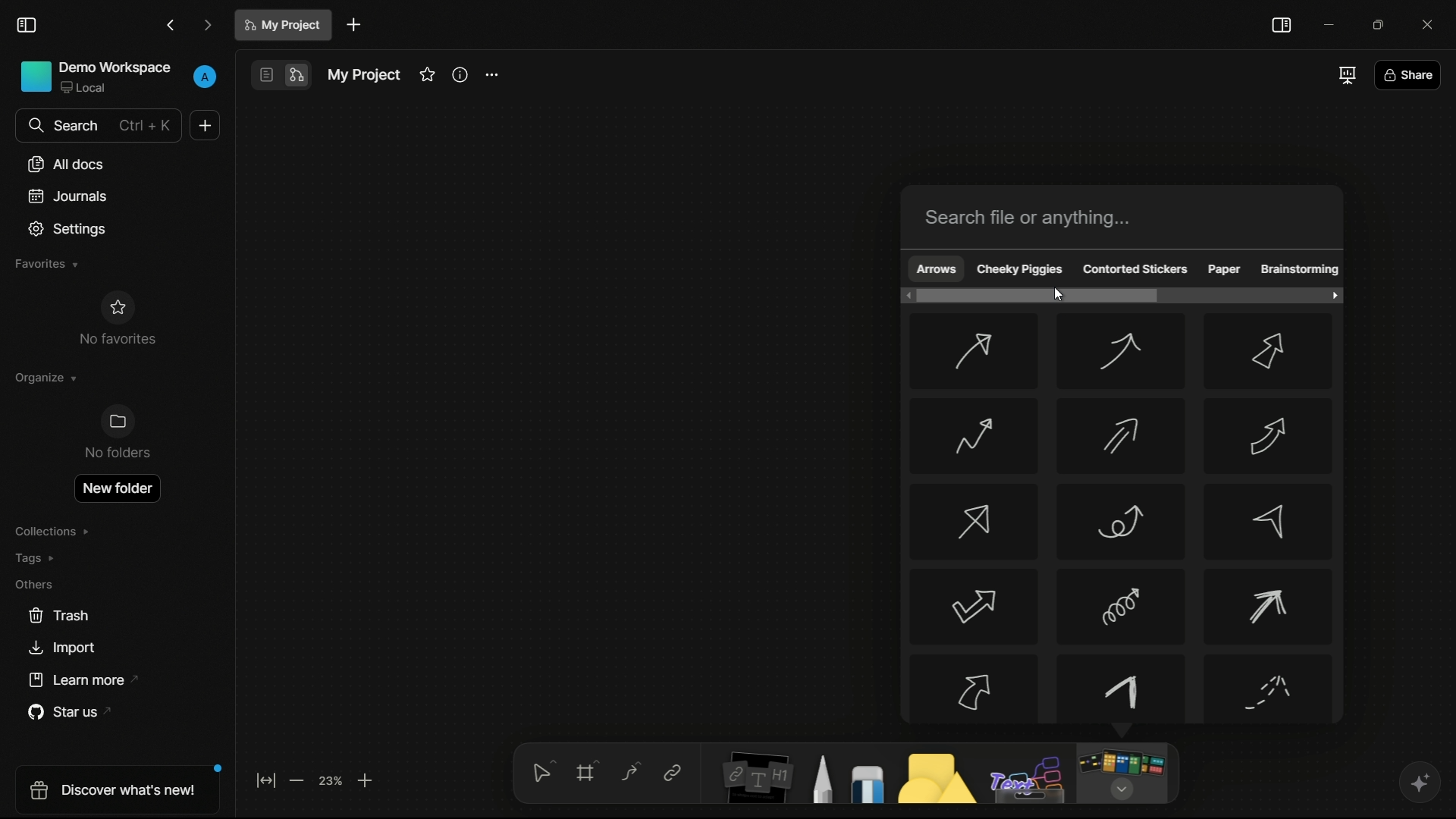 Image resolution: width=1456 pixels, height=819 pixels. What do you see at coordinates (1345, 74) in the screenshot?
I see `full screen` at bounding box center [1345, 74].